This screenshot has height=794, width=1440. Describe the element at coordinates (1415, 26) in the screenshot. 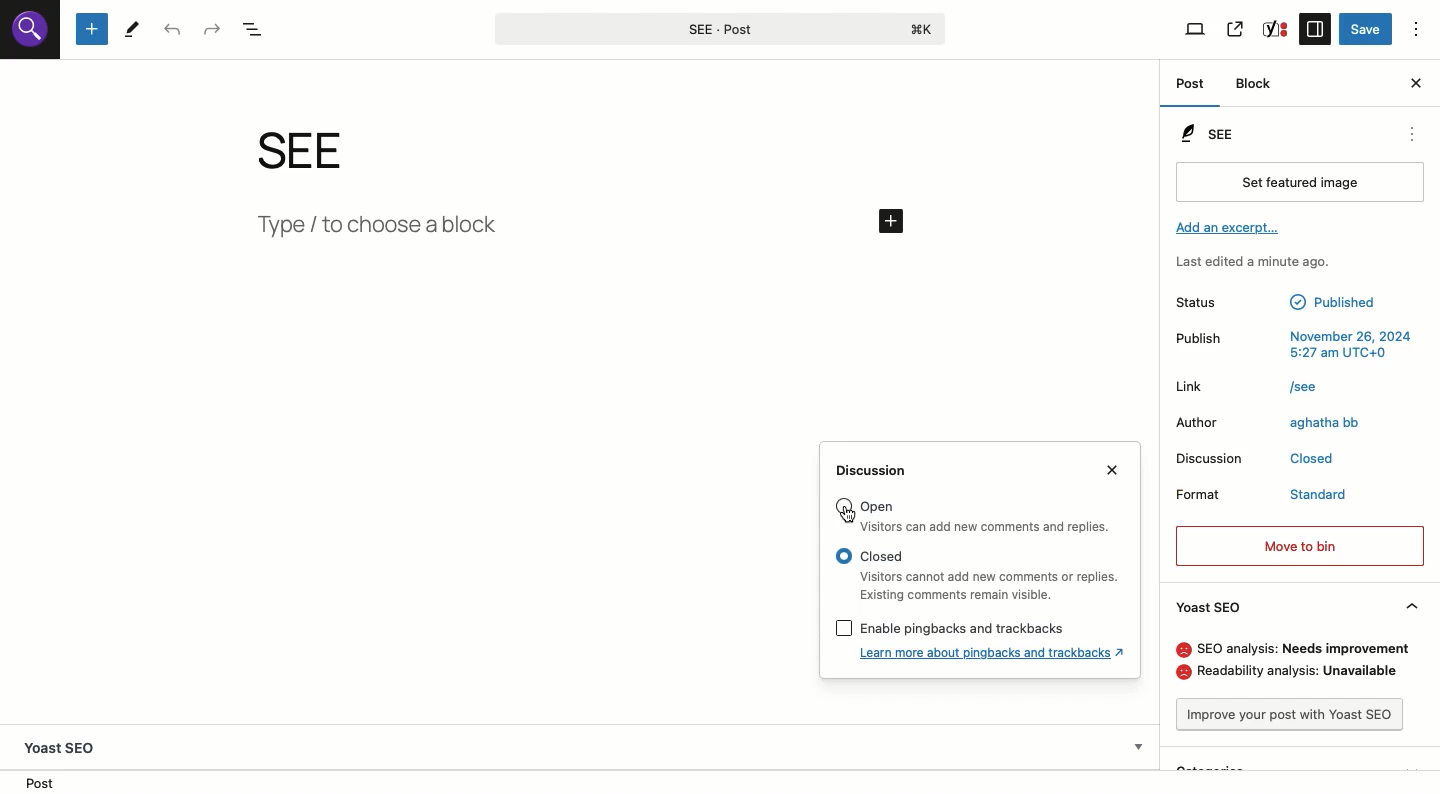

I see `Options` at that location.